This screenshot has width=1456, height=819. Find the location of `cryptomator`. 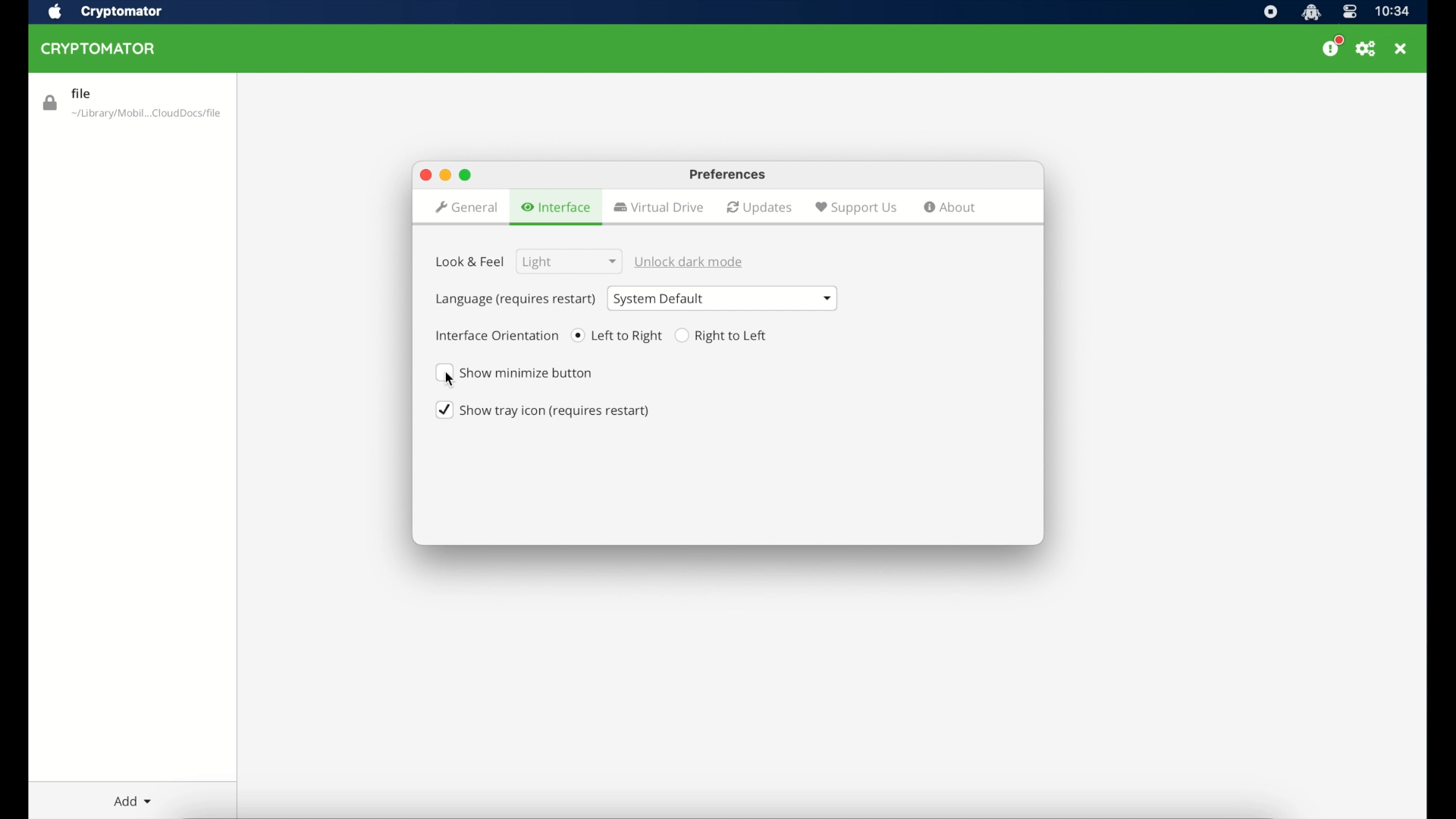

cryptomator is located at coordinates (99, 49).